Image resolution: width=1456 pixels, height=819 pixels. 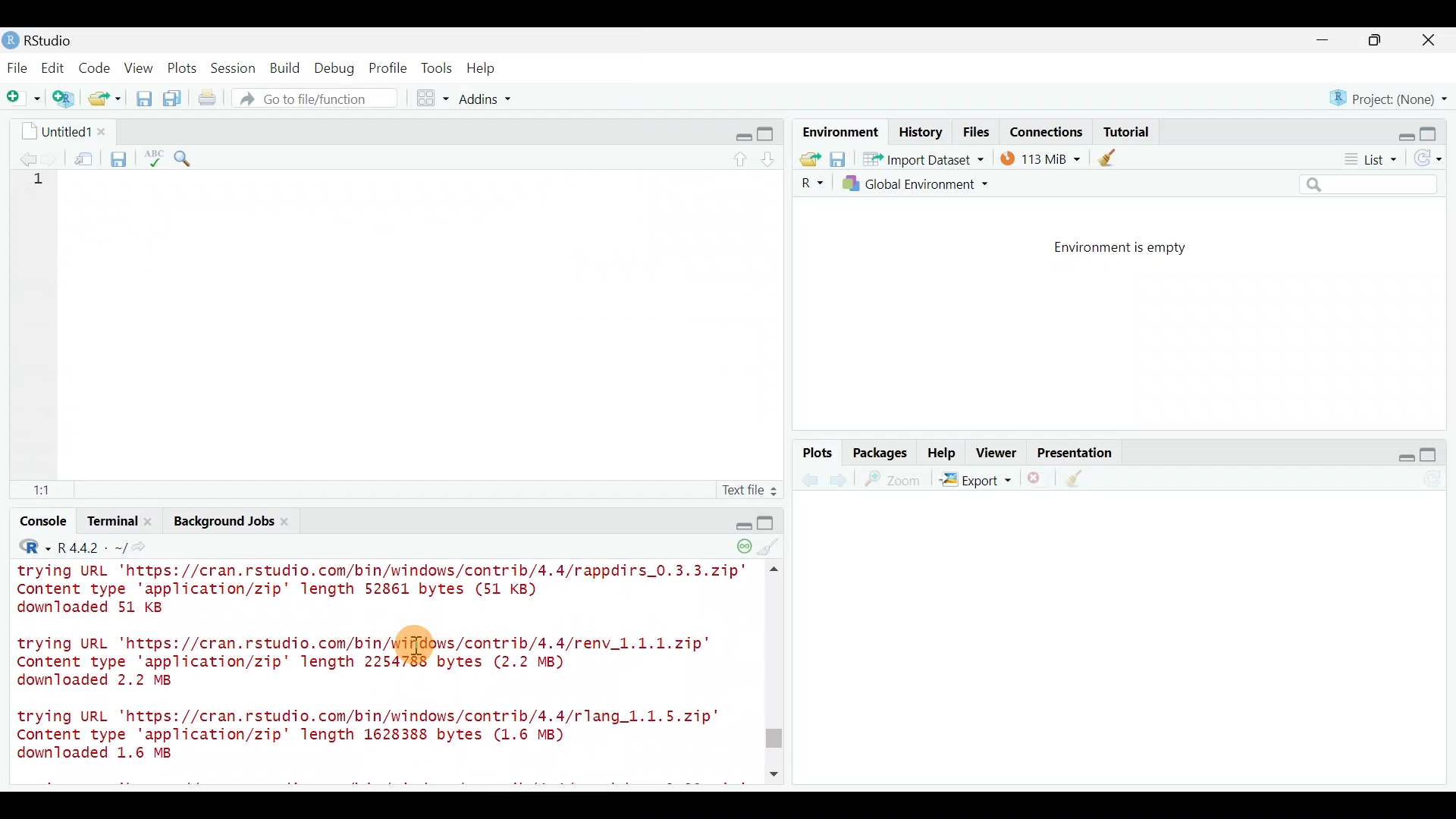 I want to click on restore down, so click(x=741, y=134).